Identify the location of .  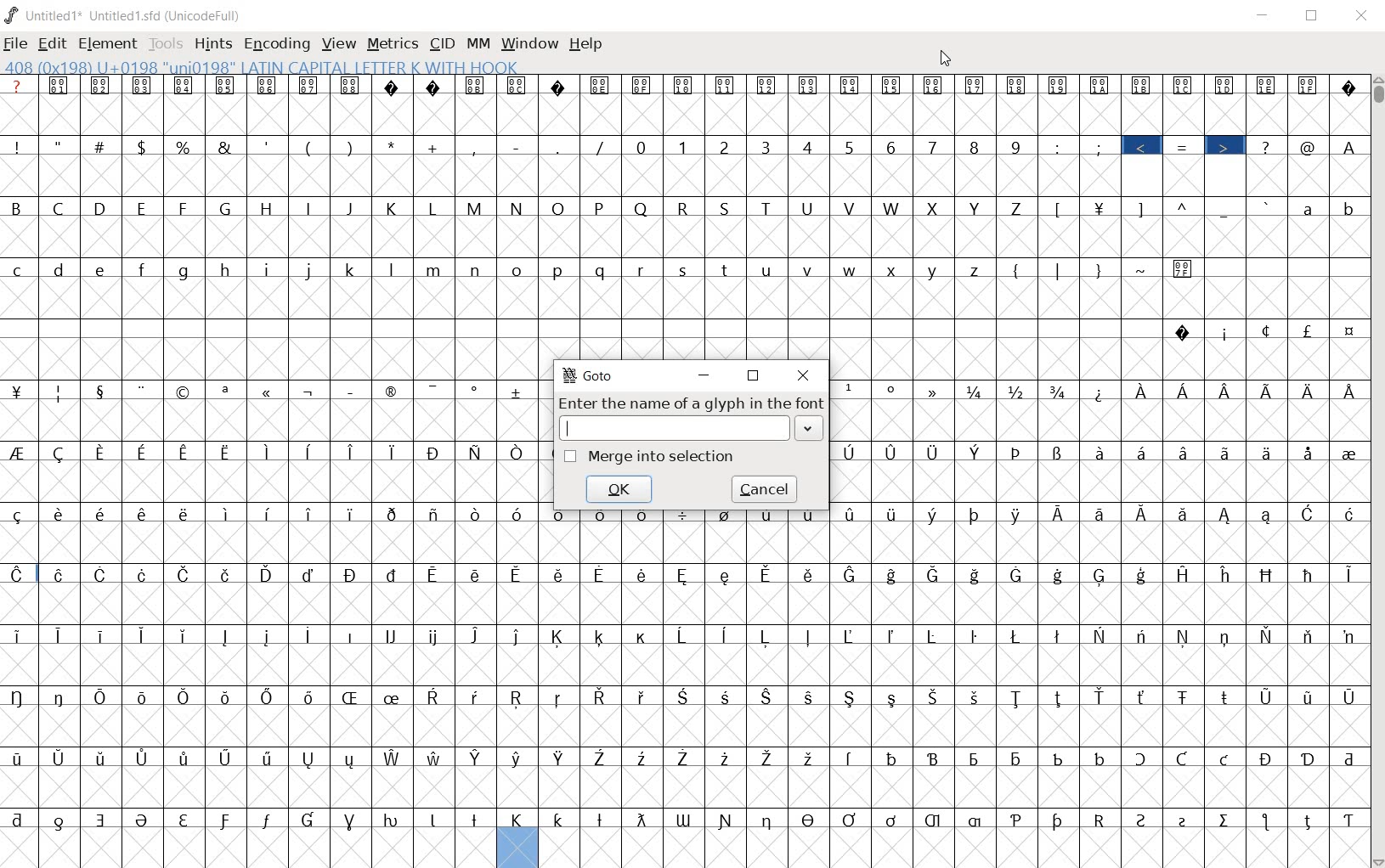
(1094, 419).